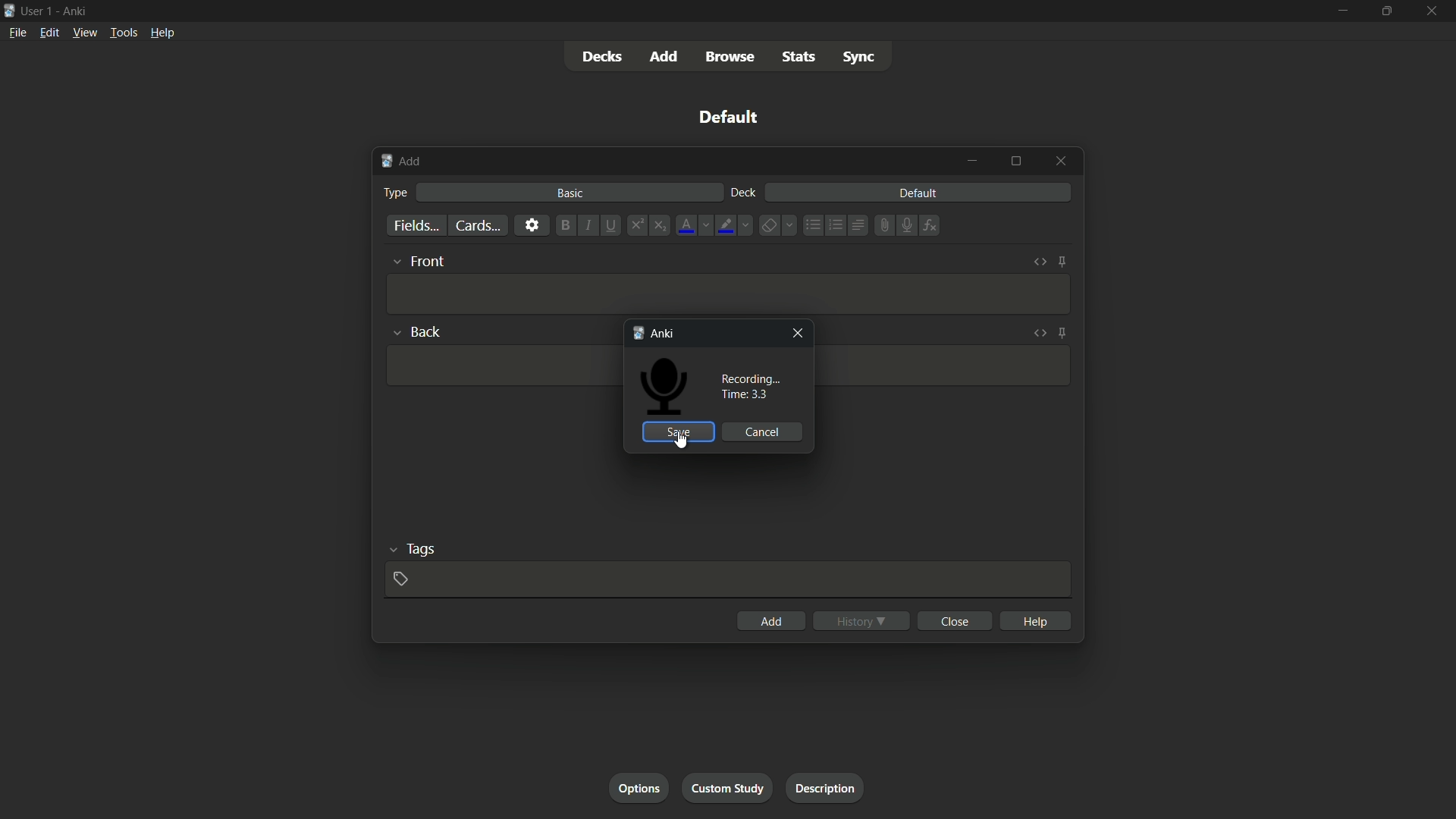 This screenshot has height=819, width=1456. Describe the element at coordinates (401, 578) in the screenshot. I see `add tag` at that location.